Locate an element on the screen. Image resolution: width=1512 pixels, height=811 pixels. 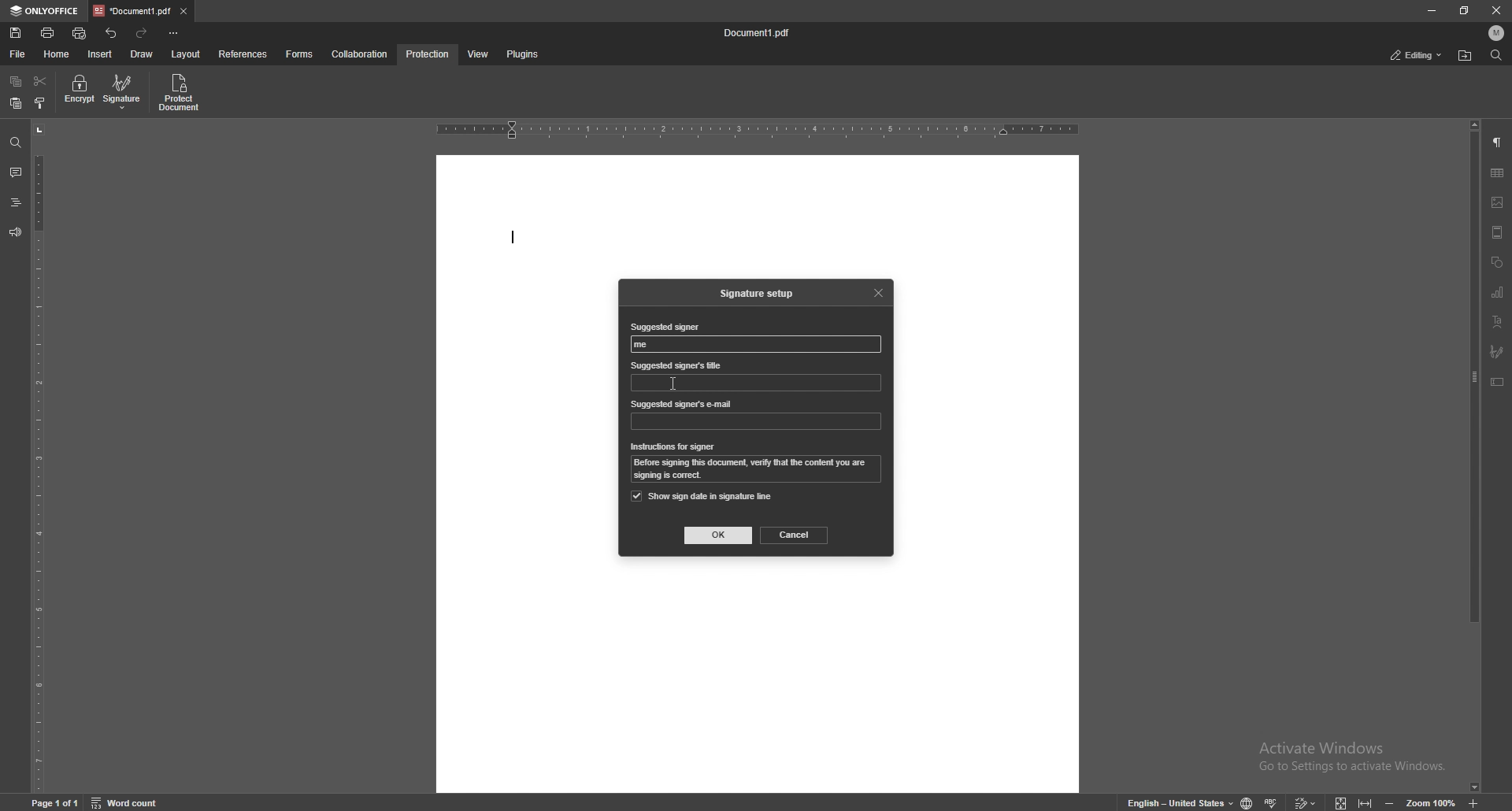
suggested signer is located at coordinates (647, 345).